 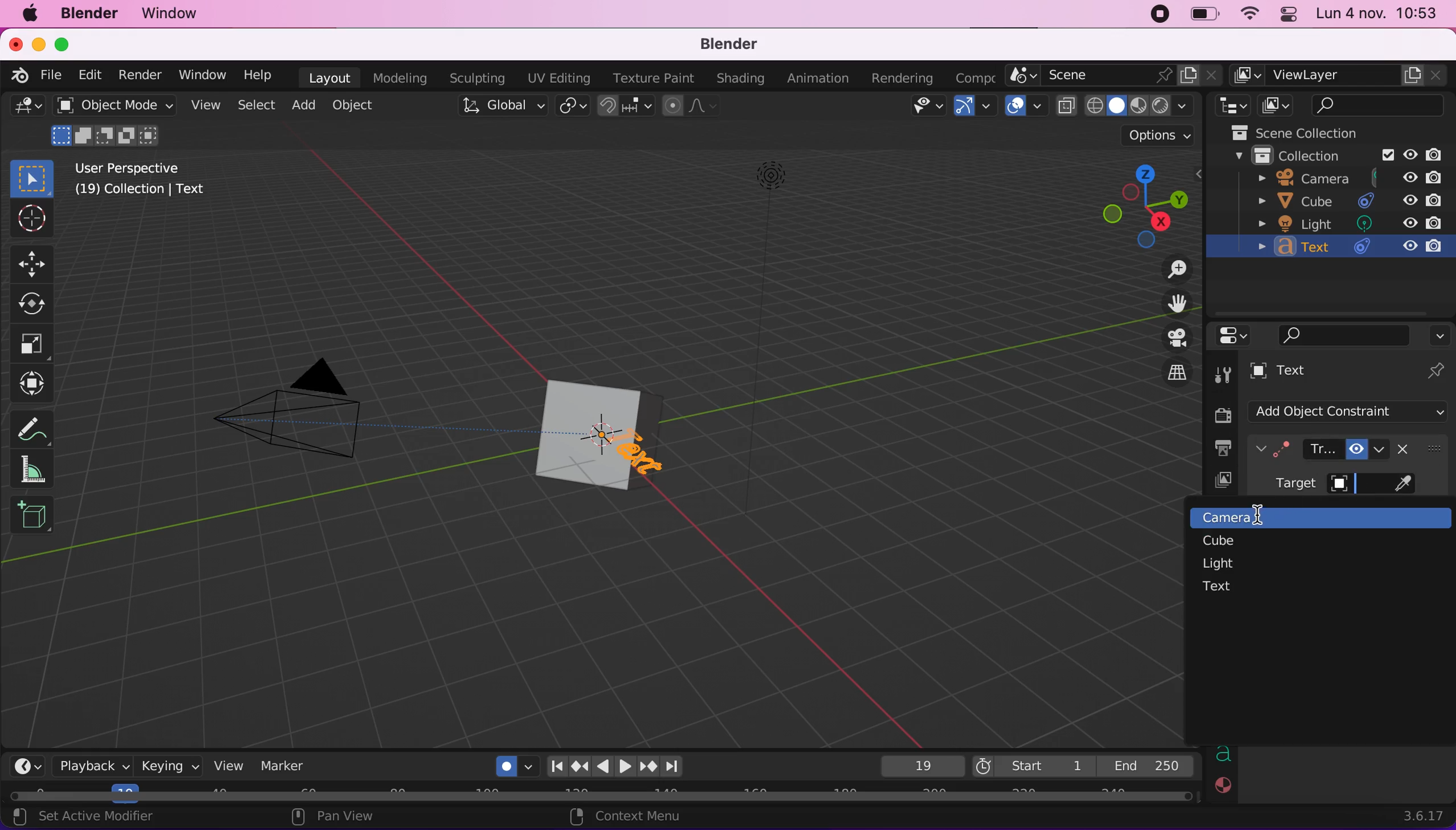 I want to click on object, so click(x=360, y=106).